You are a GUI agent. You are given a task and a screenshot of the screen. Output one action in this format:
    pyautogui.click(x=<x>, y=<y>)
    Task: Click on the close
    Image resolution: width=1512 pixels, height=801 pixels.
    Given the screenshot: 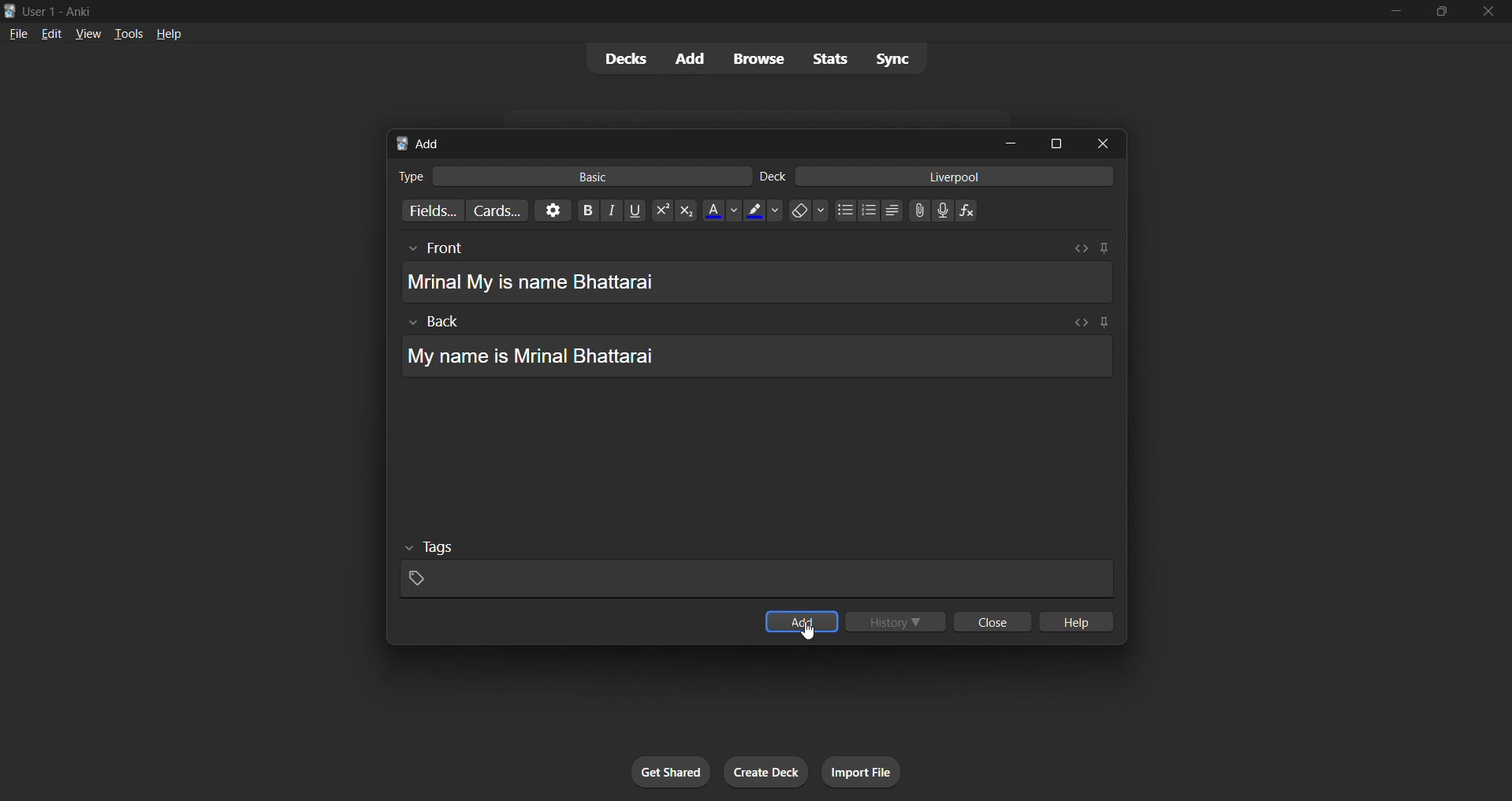 What is the action you would take?
    pyautogui.click(x=1490, y=13)
    